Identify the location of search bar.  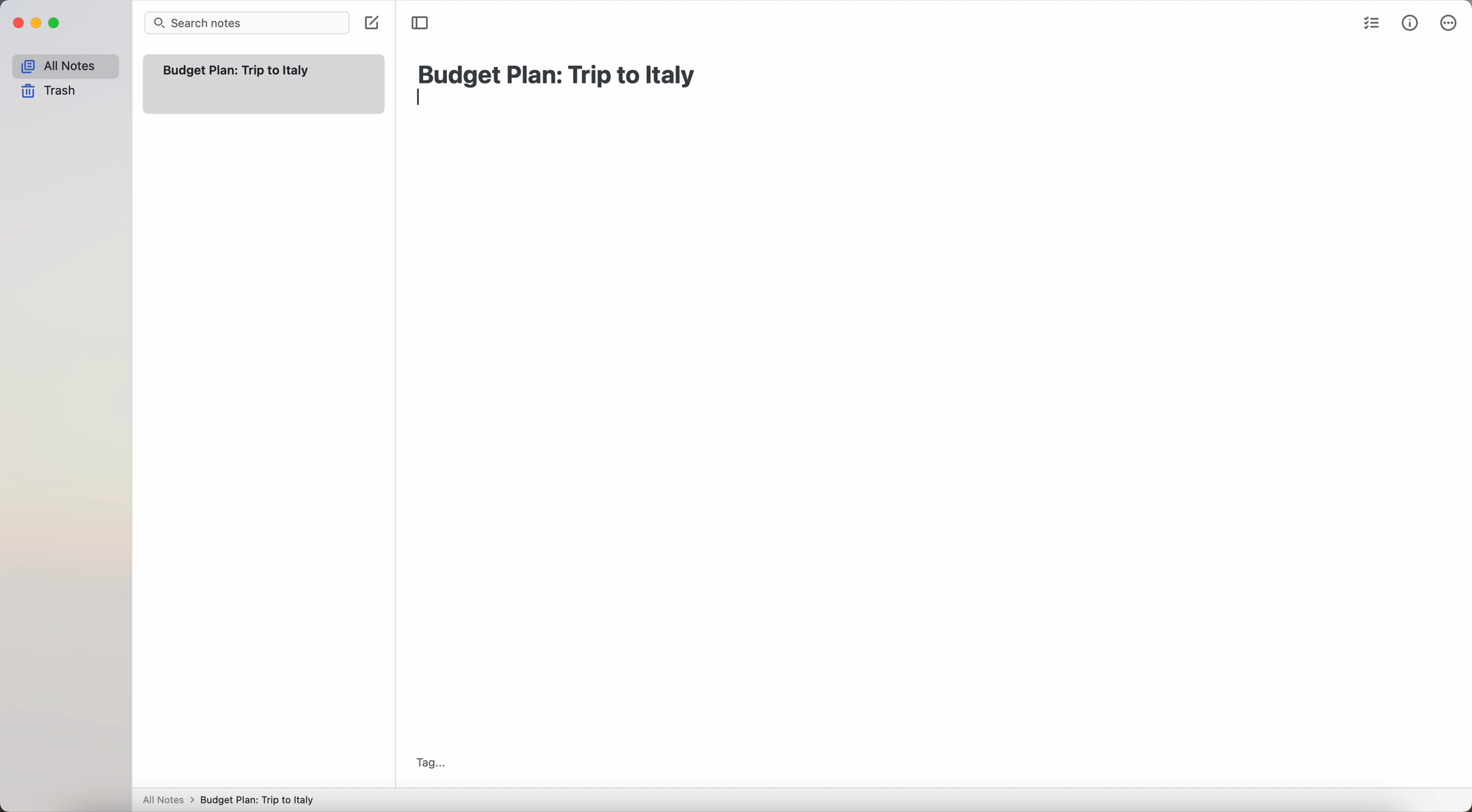
(247, 23).